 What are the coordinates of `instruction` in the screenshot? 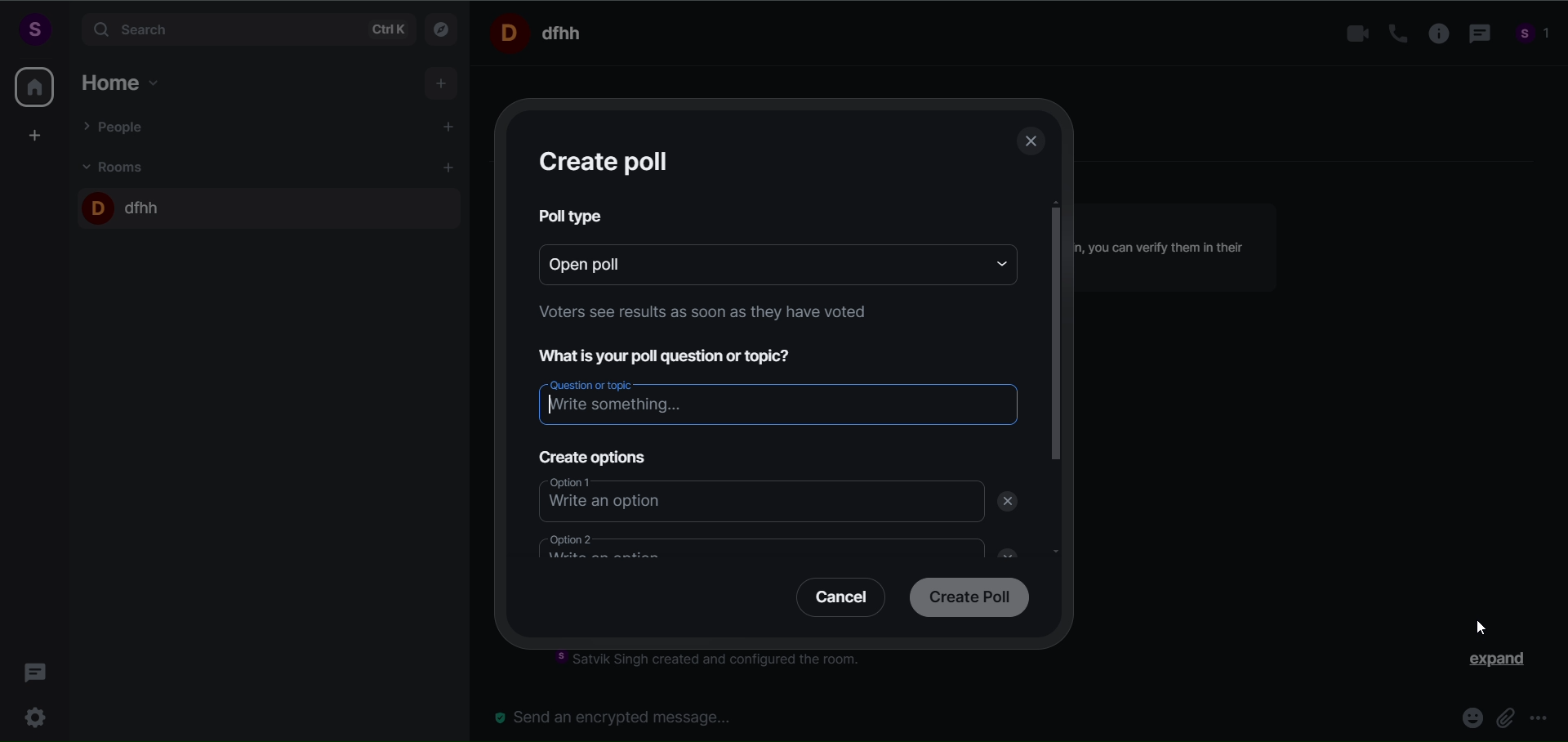 It's located at (698, 315).